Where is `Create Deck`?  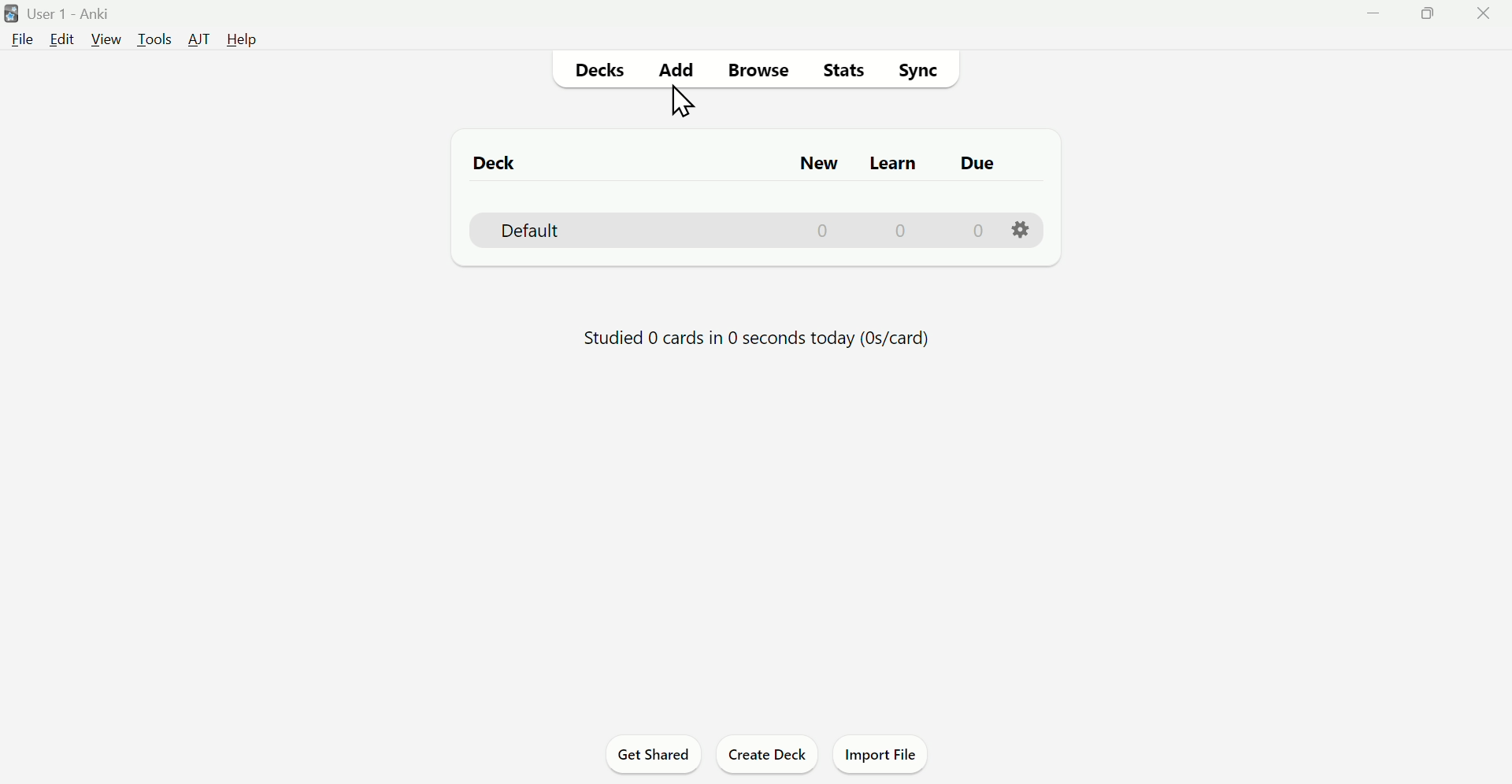
Create Deck is located at coordinates (773, 756).